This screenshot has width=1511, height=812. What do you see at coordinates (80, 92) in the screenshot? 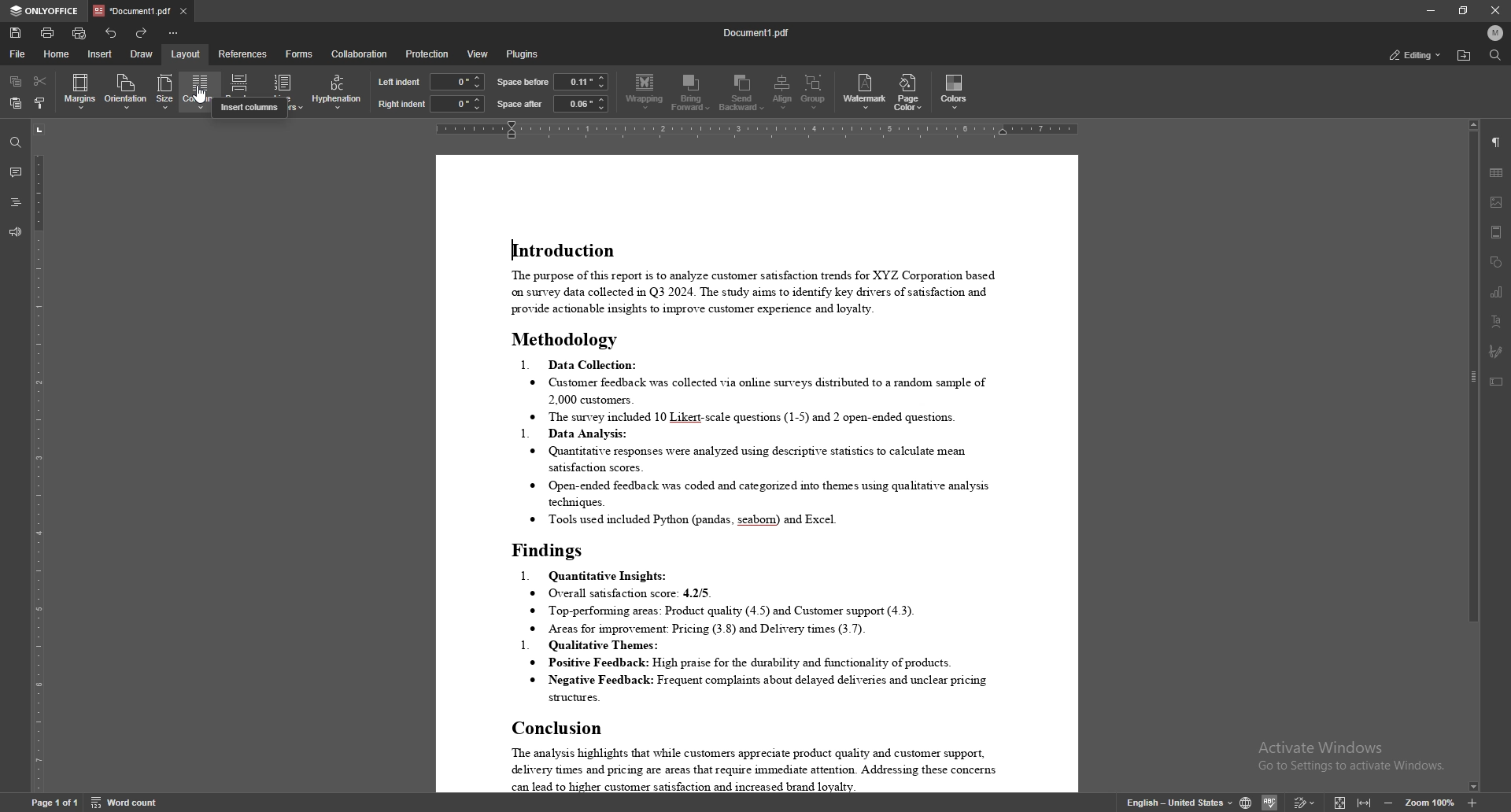
I see `margins` at bounding box center [80, 92].